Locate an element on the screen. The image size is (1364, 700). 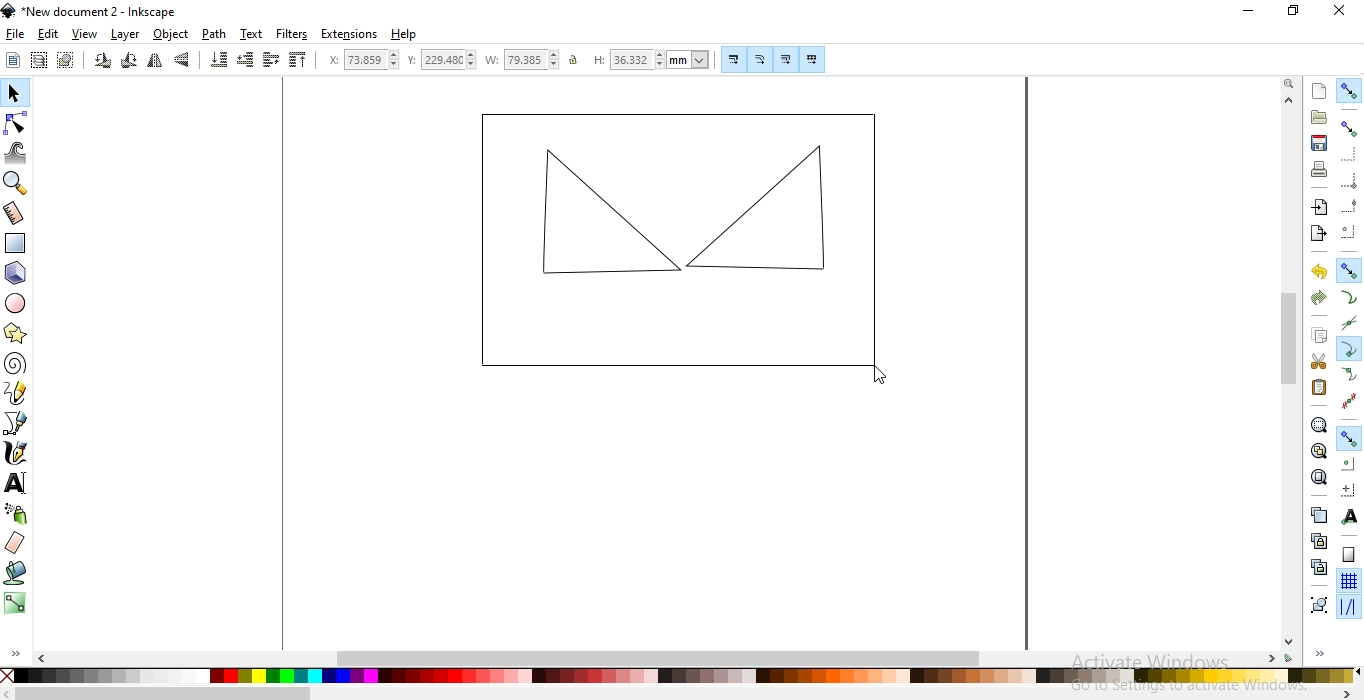
expand/hide sidebar is located at coordinates (13, 654).